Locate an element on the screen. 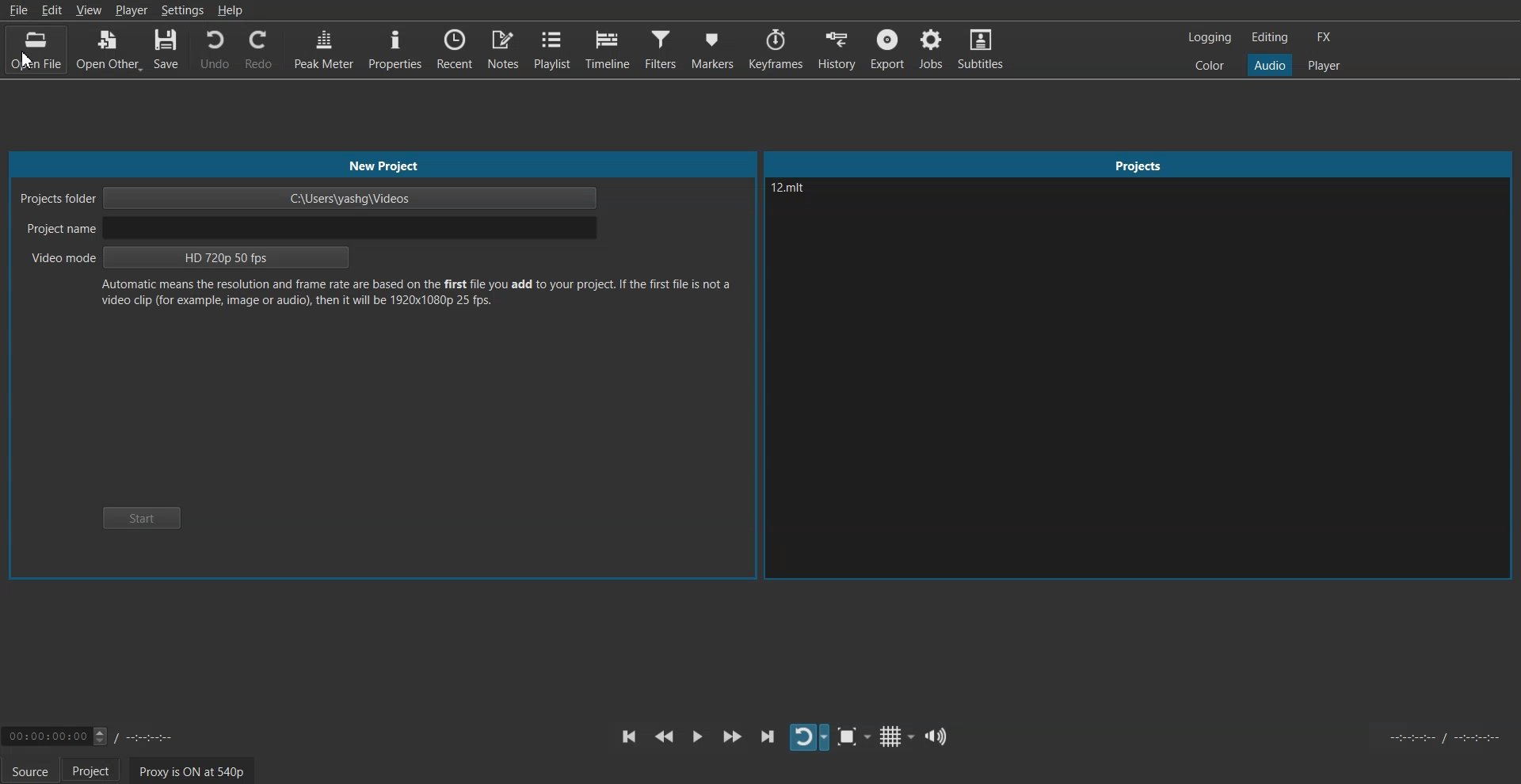 Image resolution: width=1521 pixels, height=784 pixels. FX is located at coordinates (1322, 37).